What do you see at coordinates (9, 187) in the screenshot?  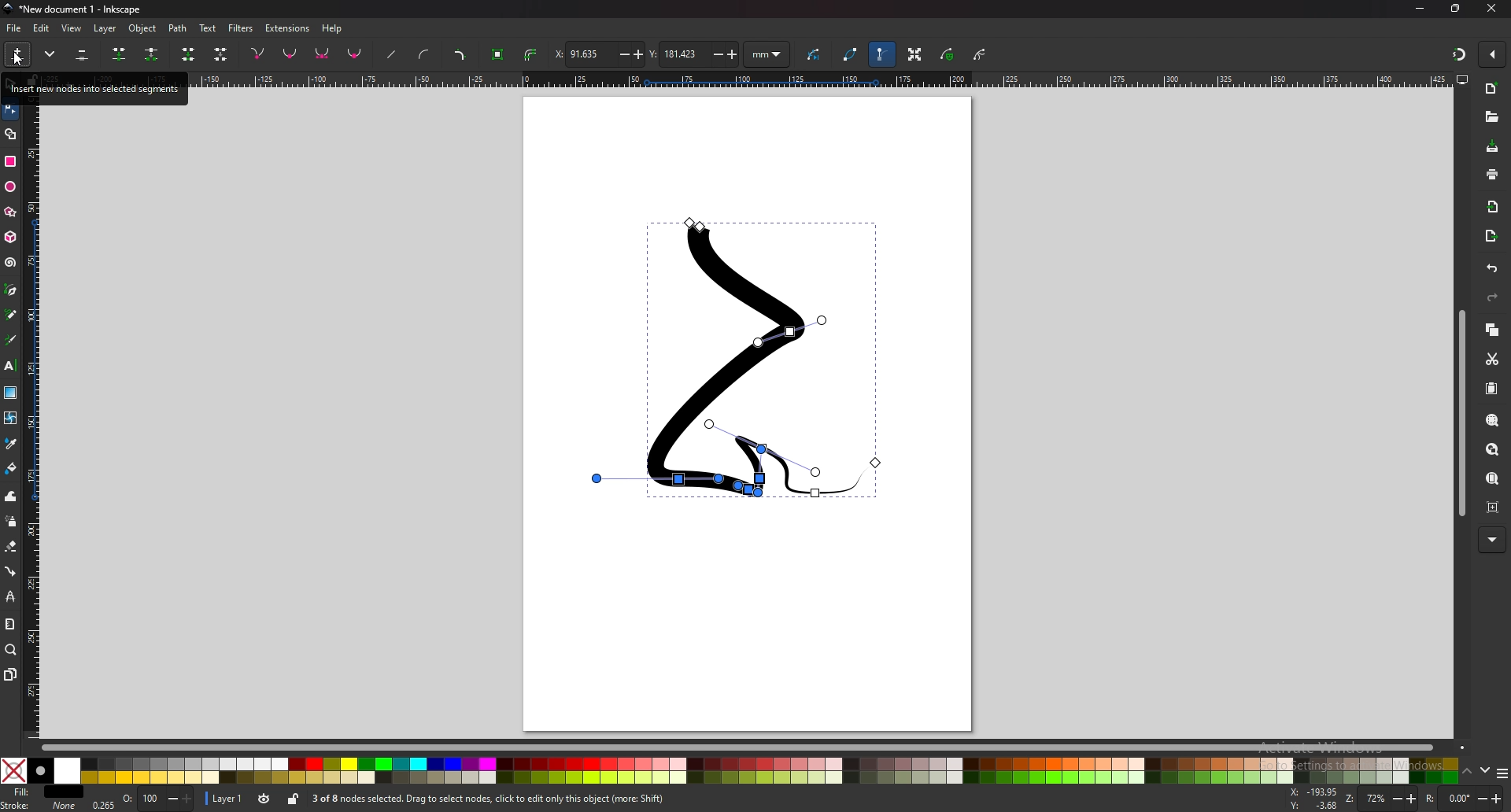 I see `ellipse` at bounding box center [9, 187].